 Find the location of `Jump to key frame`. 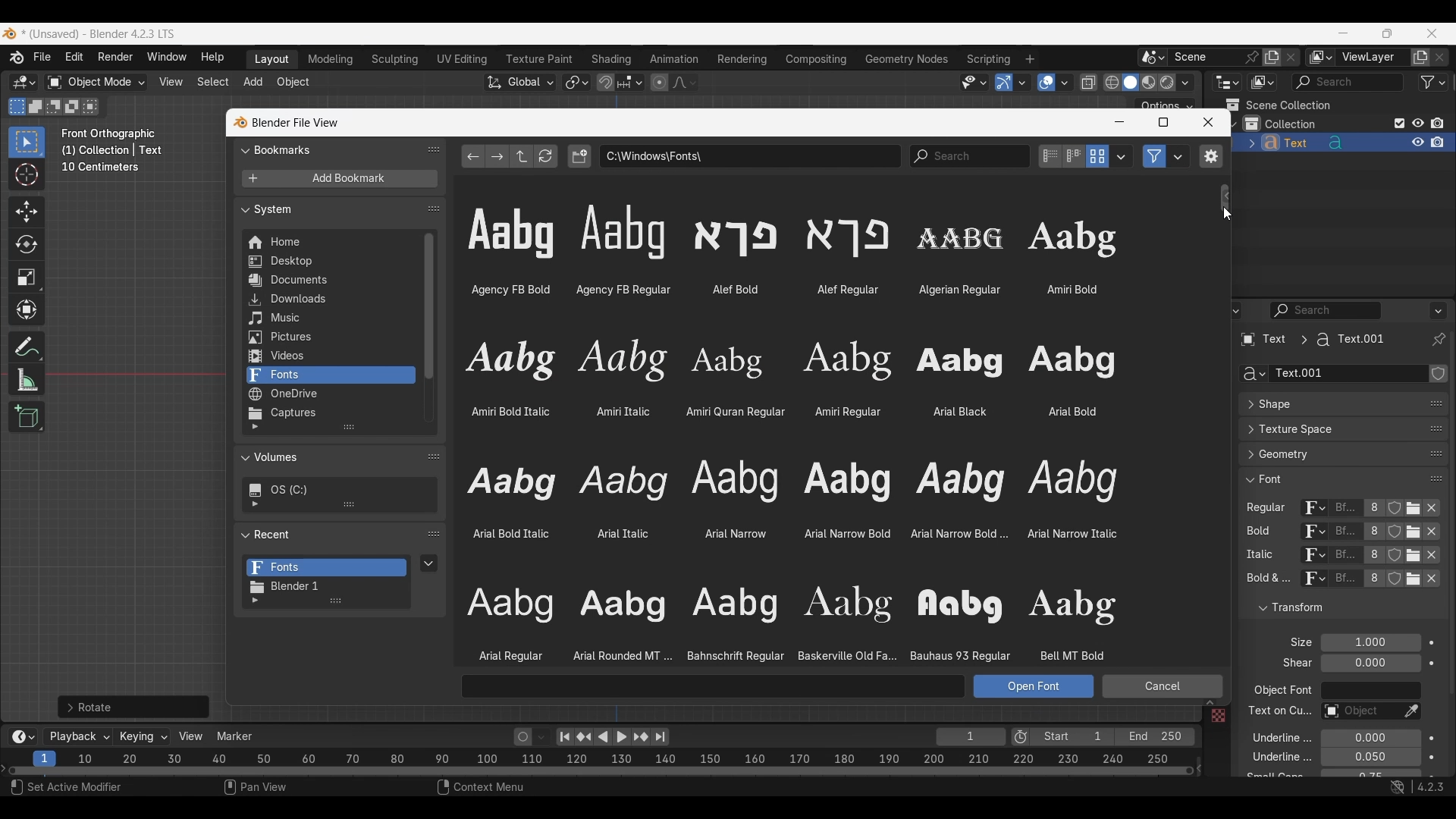

Jump to key frame is located at coordinates (584, 737).